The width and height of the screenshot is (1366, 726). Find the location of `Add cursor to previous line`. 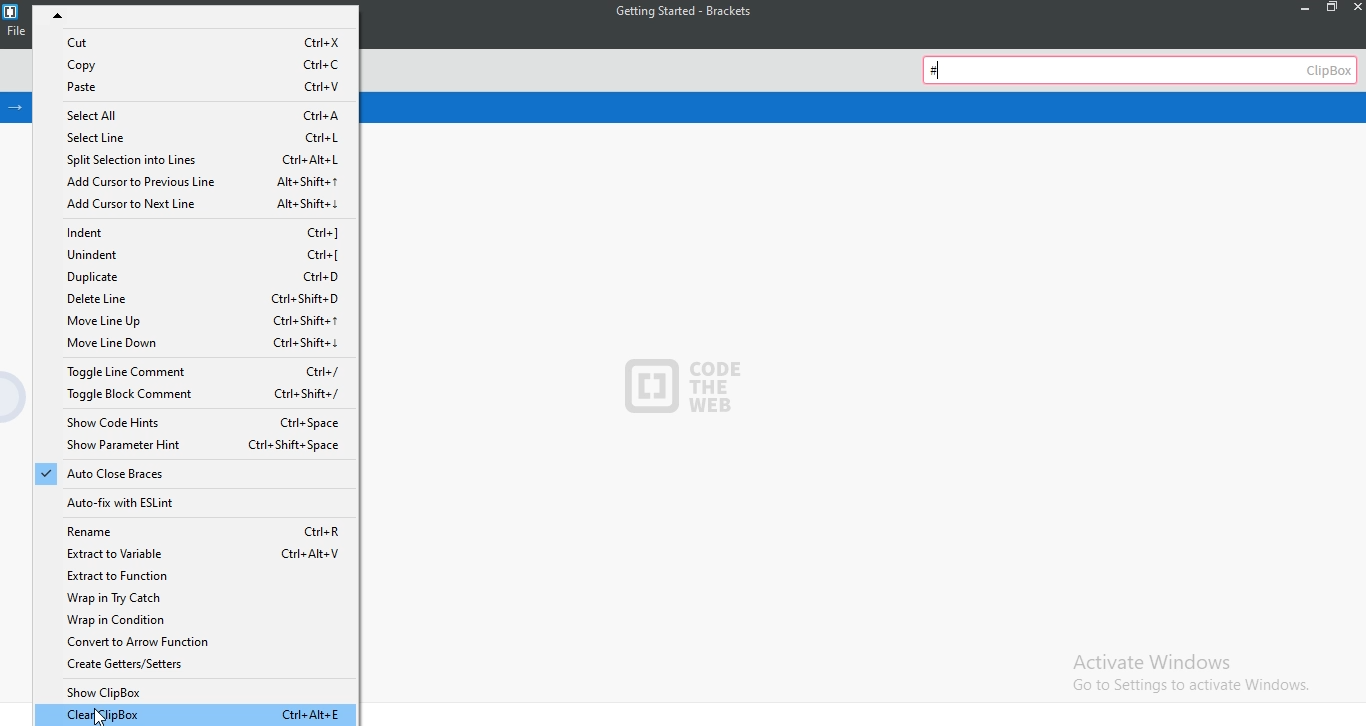

Add cursor to previous line is located at coordinates (197, 182).